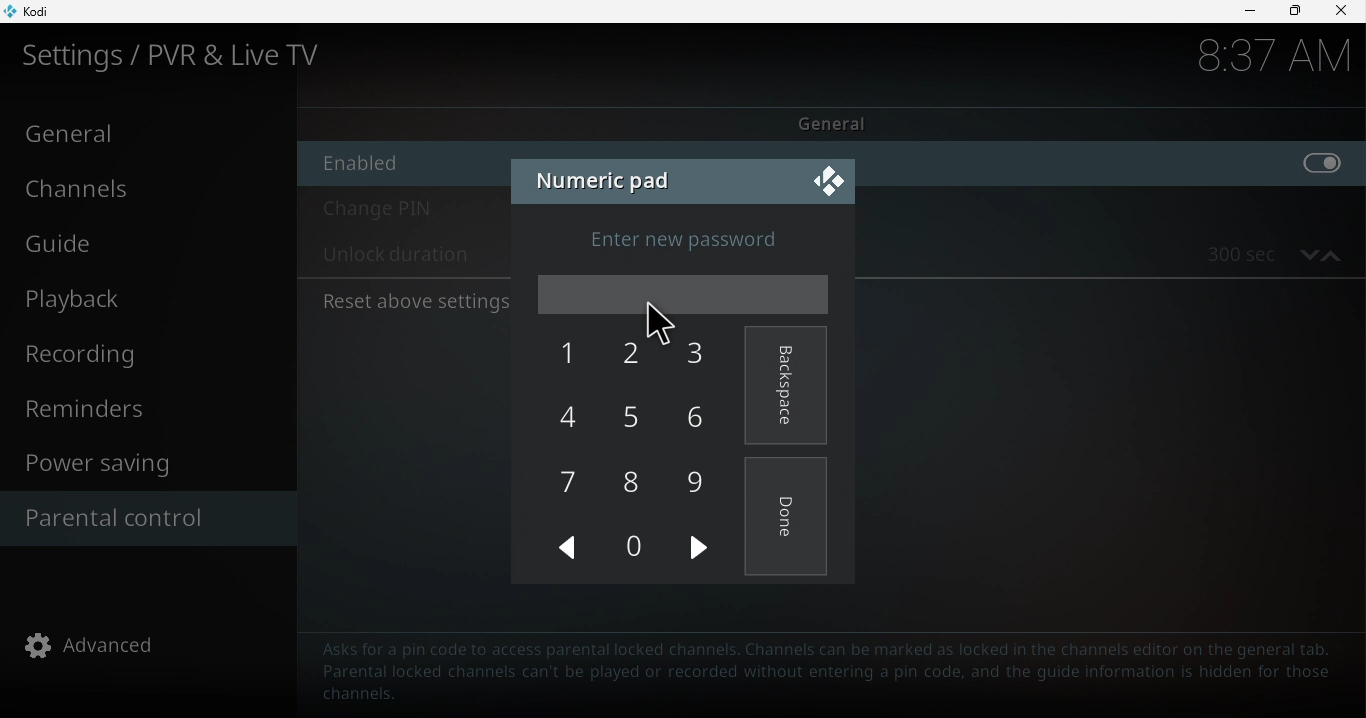 Image resolution: width=1366 pixels, height=718 pixels. Describe the element at coordinates (144, 242) in the screenshot. I see `Guide` at that location.